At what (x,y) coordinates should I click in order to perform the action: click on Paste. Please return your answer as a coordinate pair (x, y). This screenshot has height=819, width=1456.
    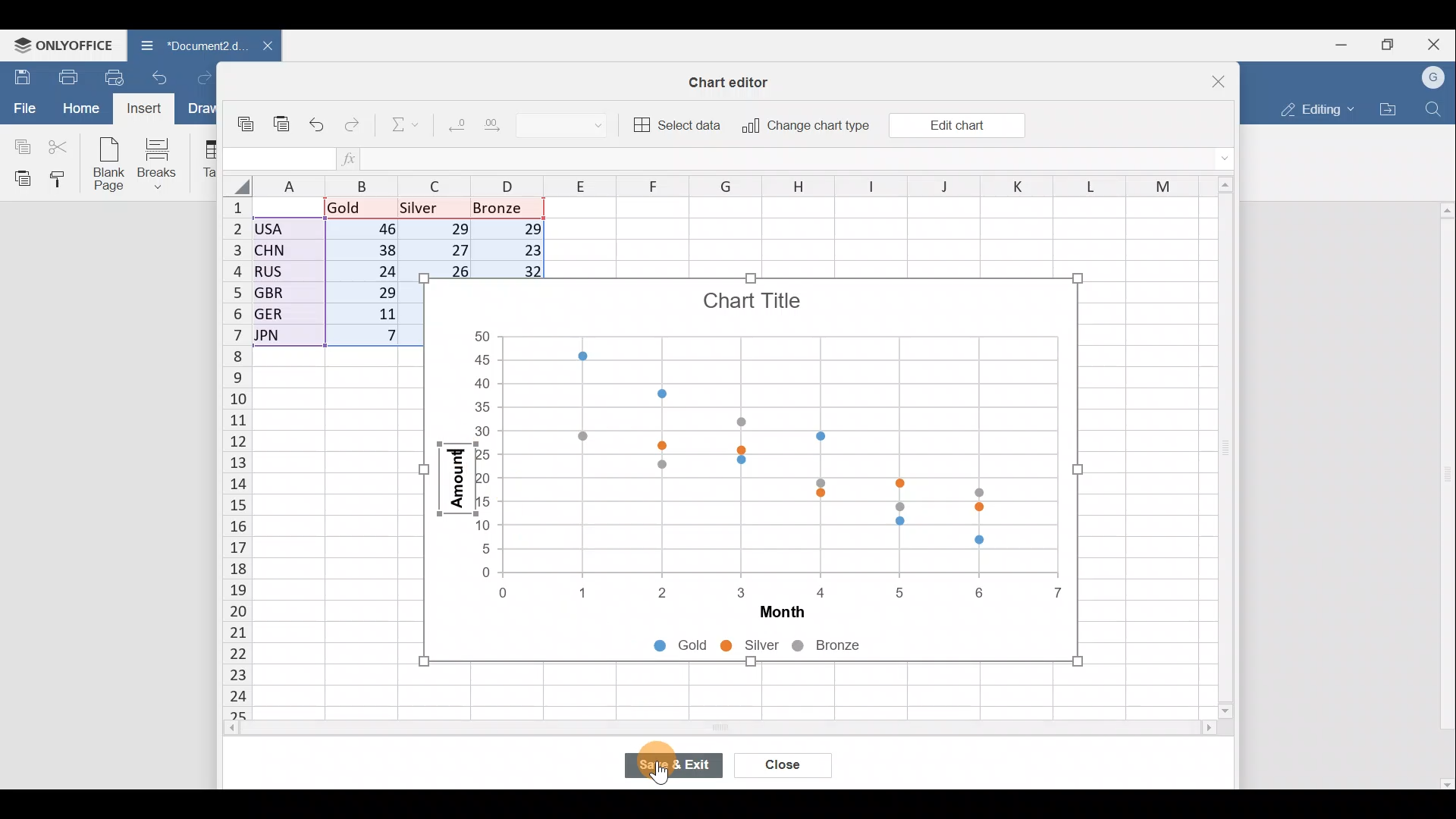
    Looking at the image, I should click on (19, 178).